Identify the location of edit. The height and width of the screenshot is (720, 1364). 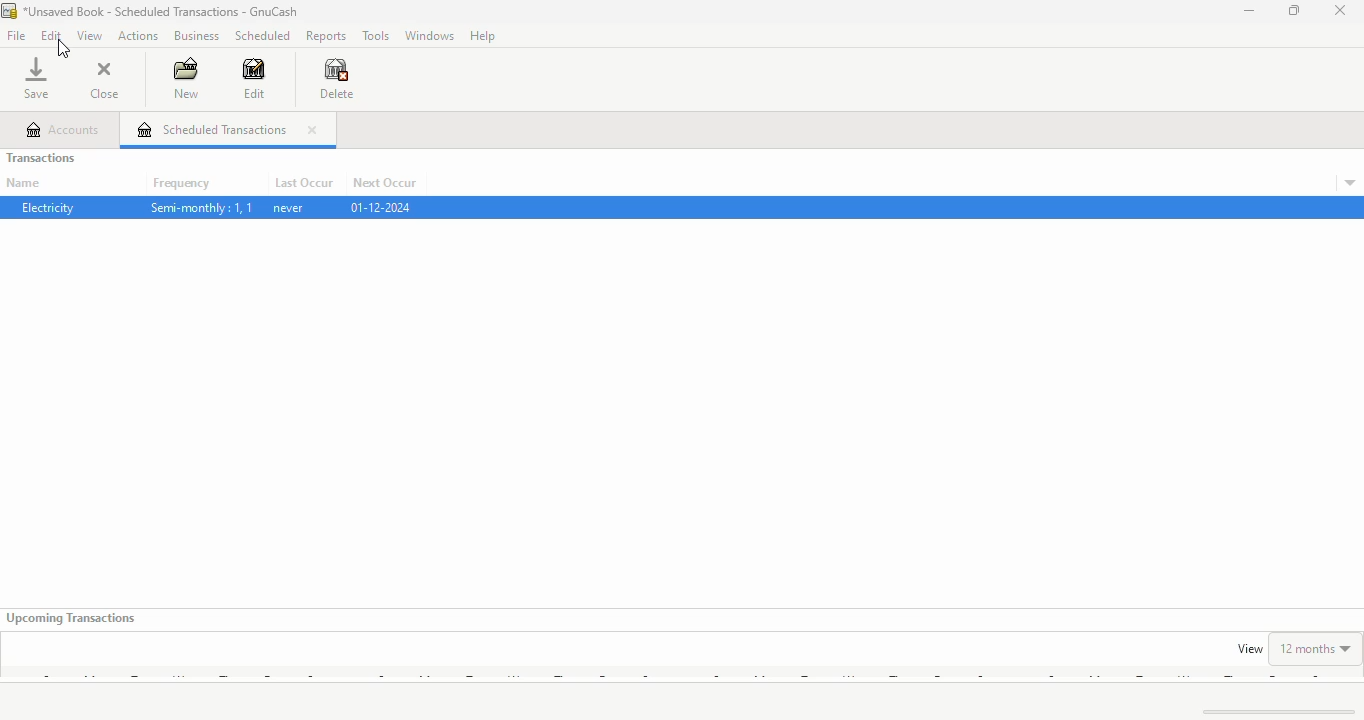
(52, 35).